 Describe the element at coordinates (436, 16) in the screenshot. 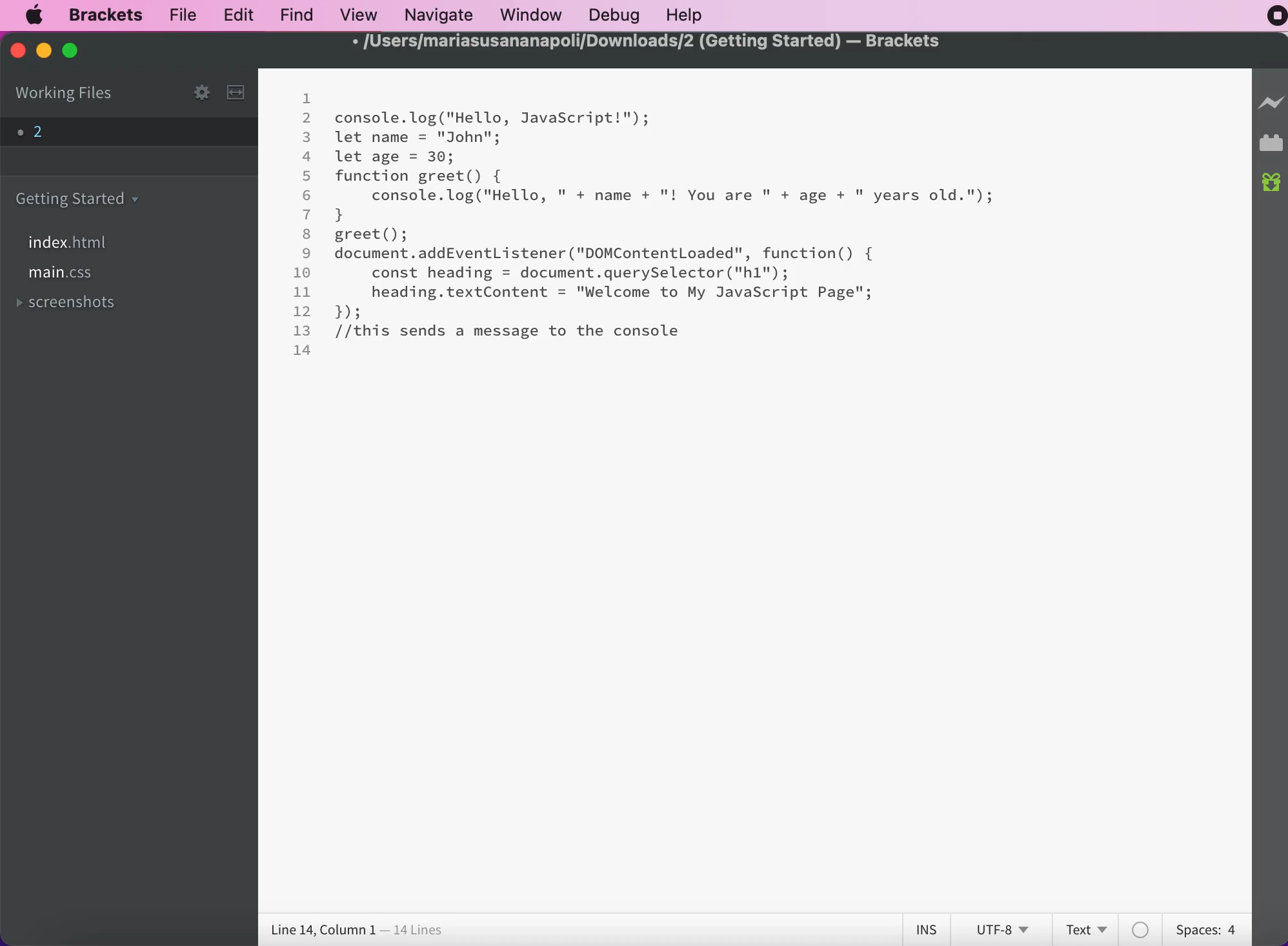

I see `navigate` at that location.